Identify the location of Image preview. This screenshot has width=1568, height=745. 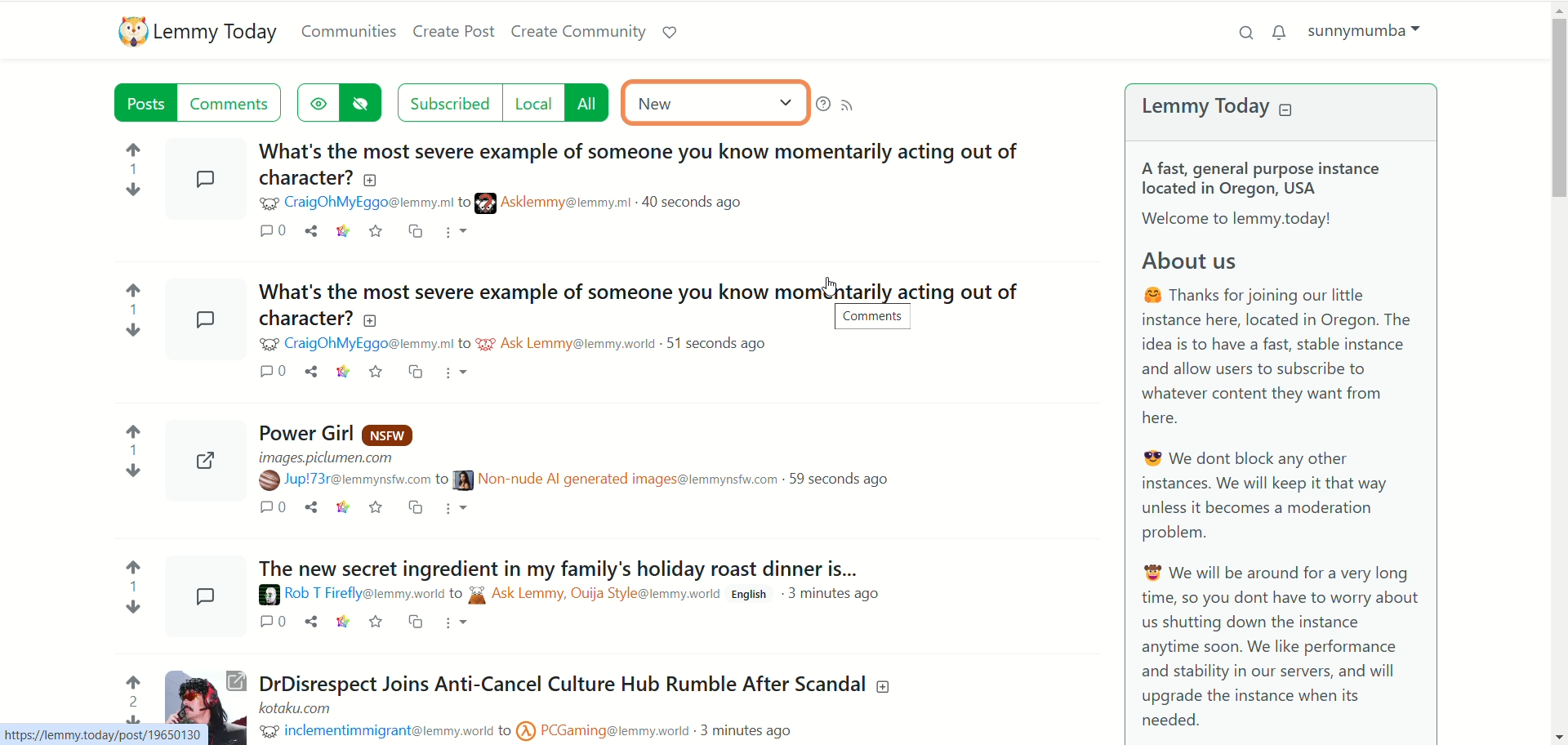
(202, 316).